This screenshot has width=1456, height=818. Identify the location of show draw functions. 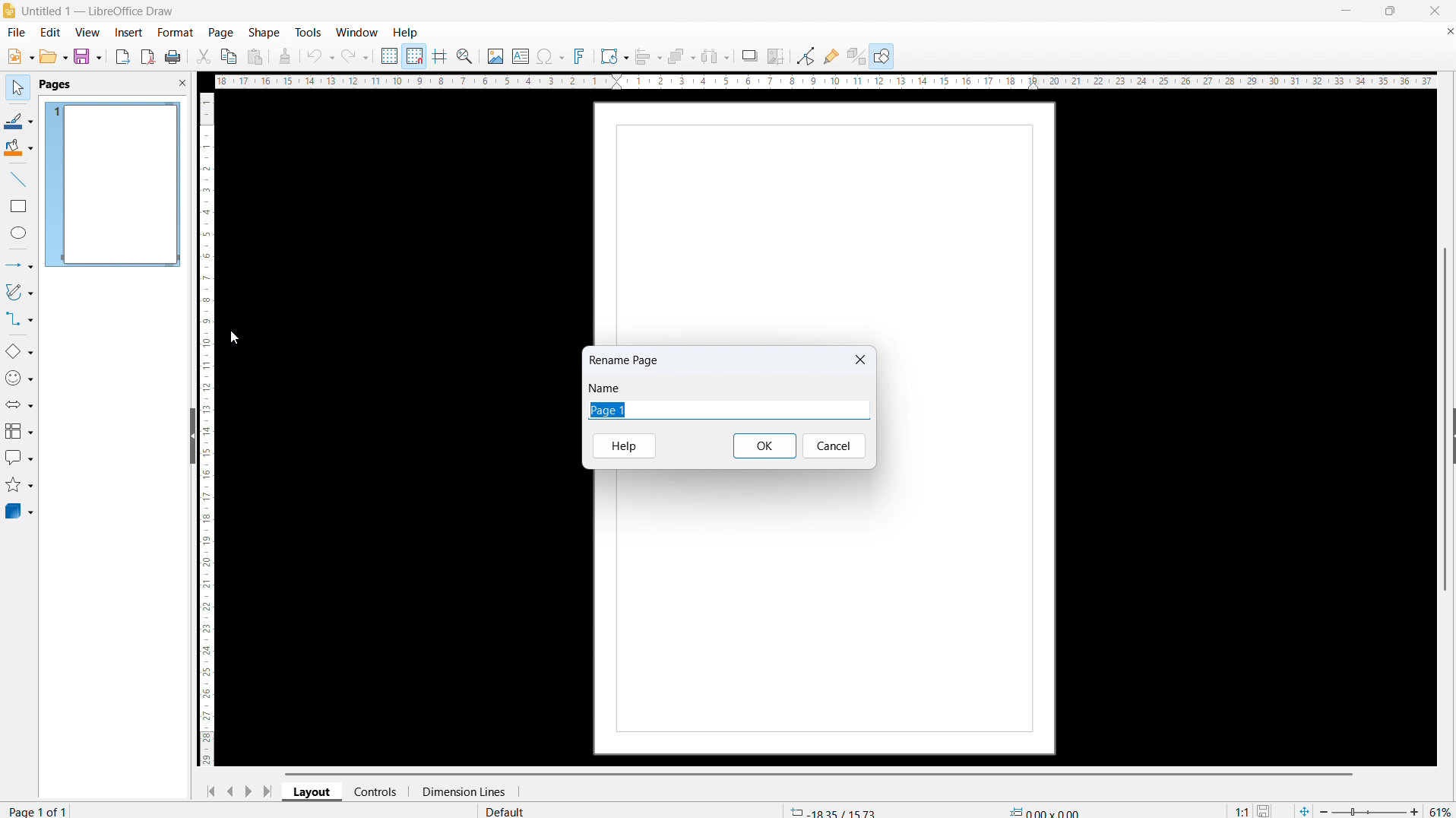
(883, 56).